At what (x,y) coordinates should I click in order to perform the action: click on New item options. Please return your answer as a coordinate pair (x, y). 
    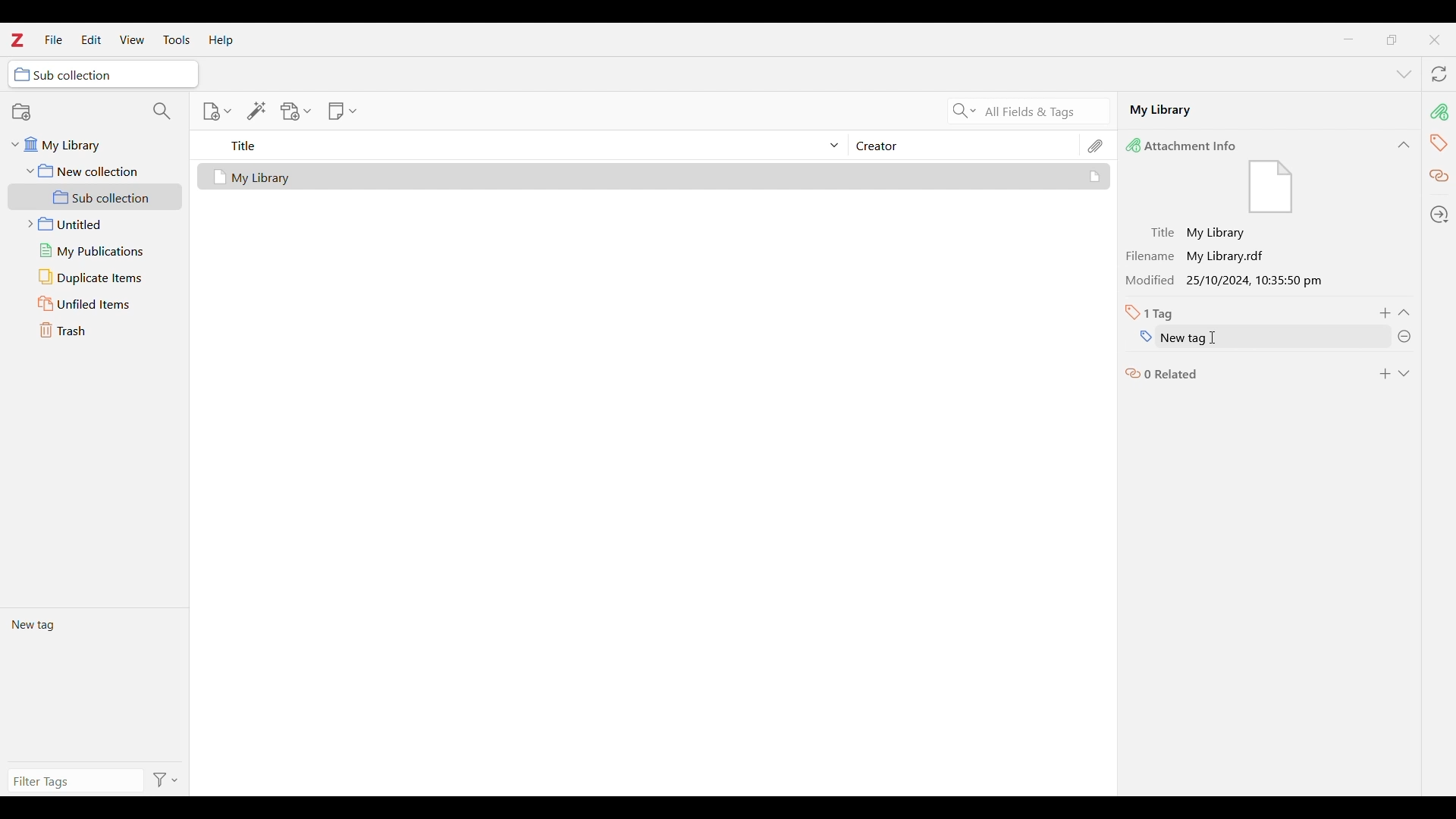
    Looking at the image, I should click on (217, 111).